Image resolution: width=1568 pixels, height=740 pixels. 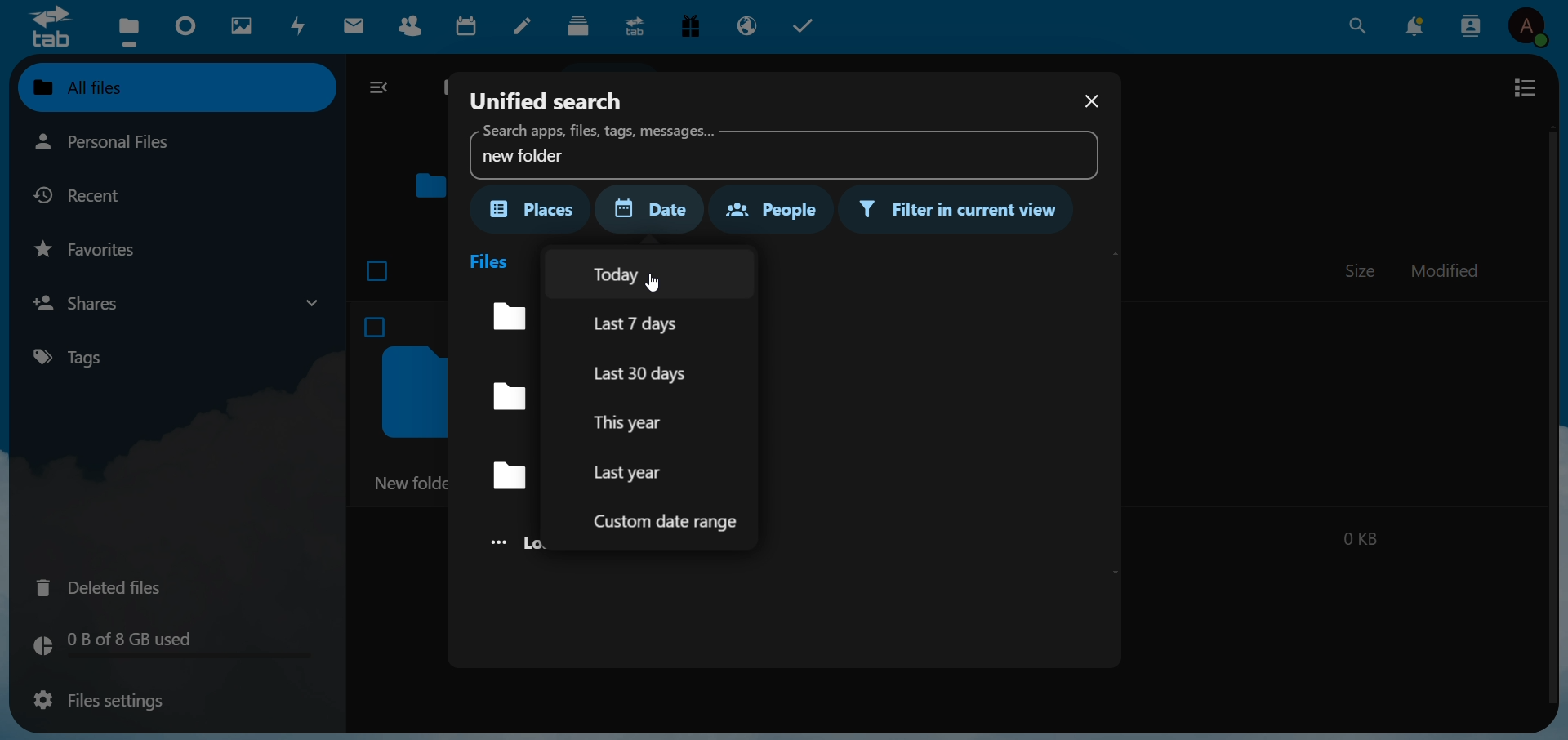 What do you see at coordinates (548, 98) in the screenshot?
I see `unified search` at bounding box center [548, 98].